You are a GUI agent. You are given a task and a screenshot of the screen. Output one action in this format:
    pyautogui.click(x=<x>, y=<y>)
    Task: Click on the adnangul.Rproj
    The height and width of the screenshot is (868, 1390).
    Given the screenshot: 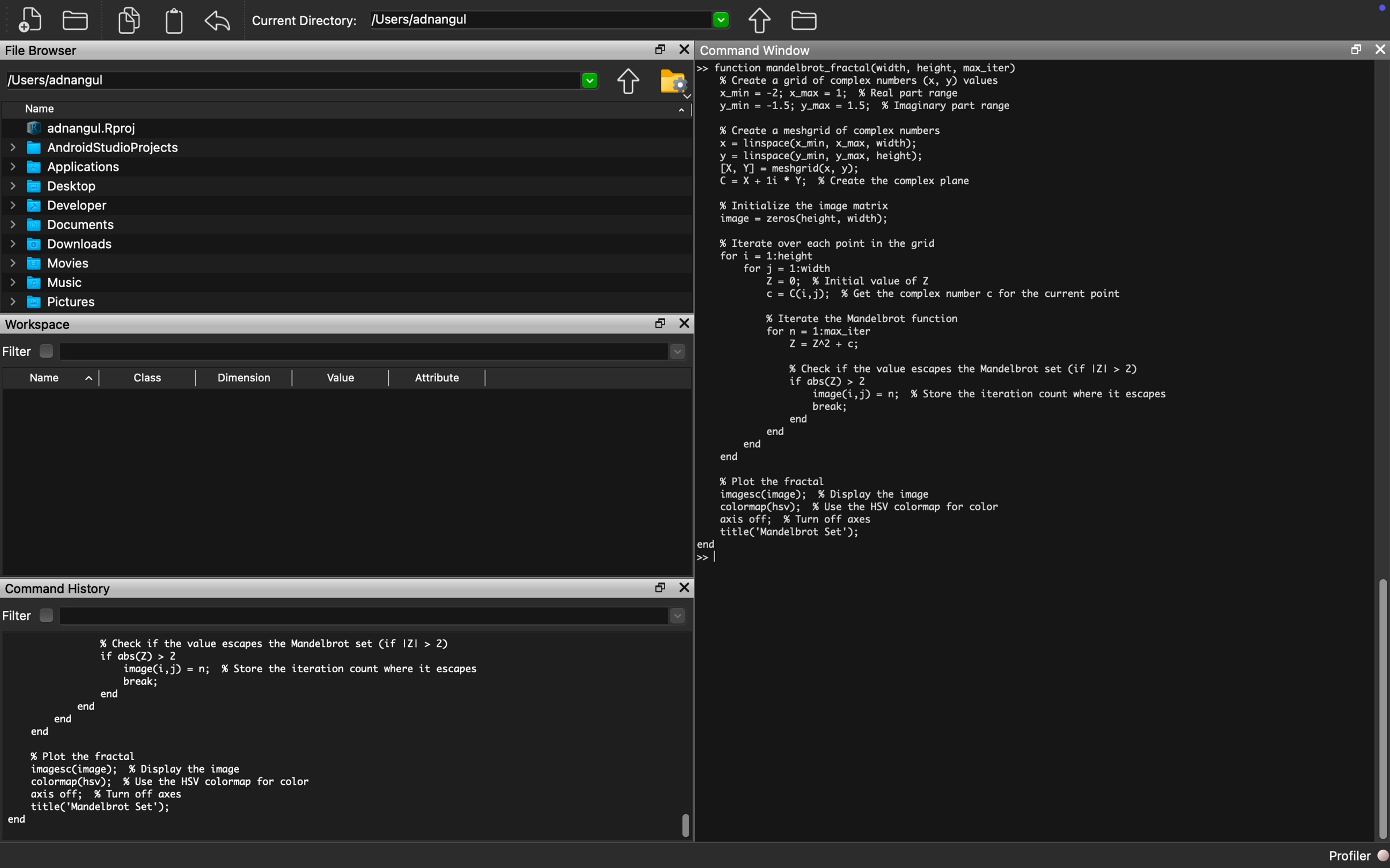 What is the action you would take?
    pyautogui.click(x=83, y=129)
    